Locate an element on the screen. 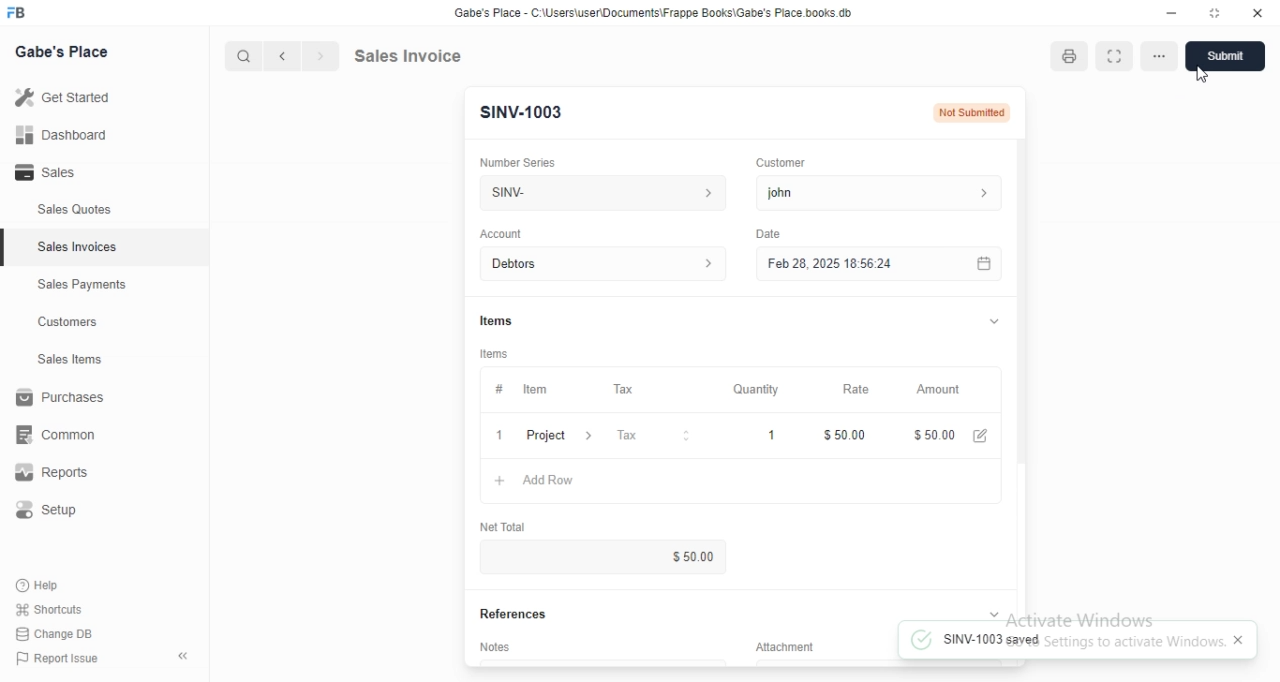 Image resolution: width=1280 pixels, height=682 pixels. References is located at coordinates (521, 614).